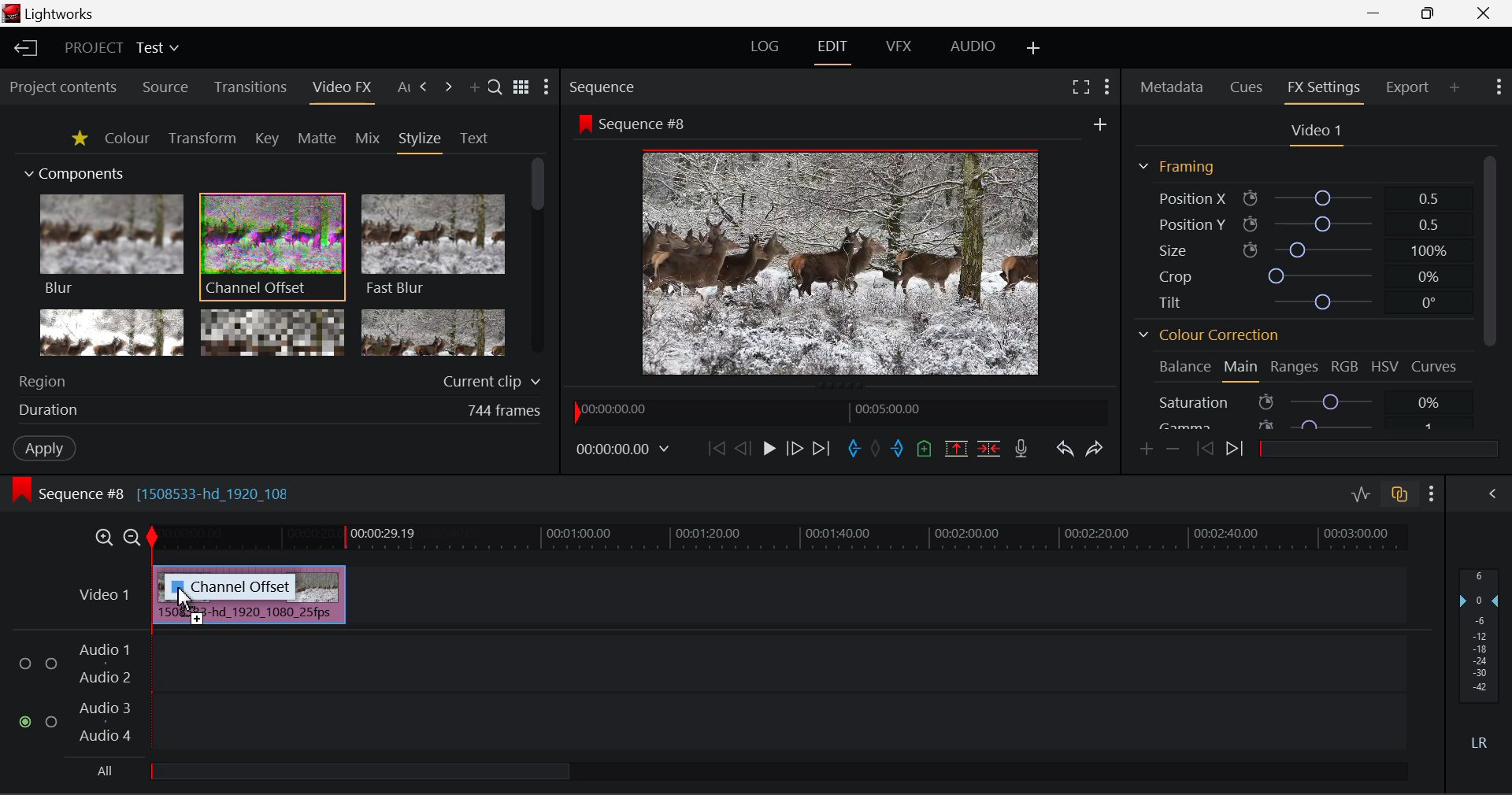  What do you see at coordinates (256, 611) in the screenshot?
I see `Inserted Clip` at bounding box center [256, 611].